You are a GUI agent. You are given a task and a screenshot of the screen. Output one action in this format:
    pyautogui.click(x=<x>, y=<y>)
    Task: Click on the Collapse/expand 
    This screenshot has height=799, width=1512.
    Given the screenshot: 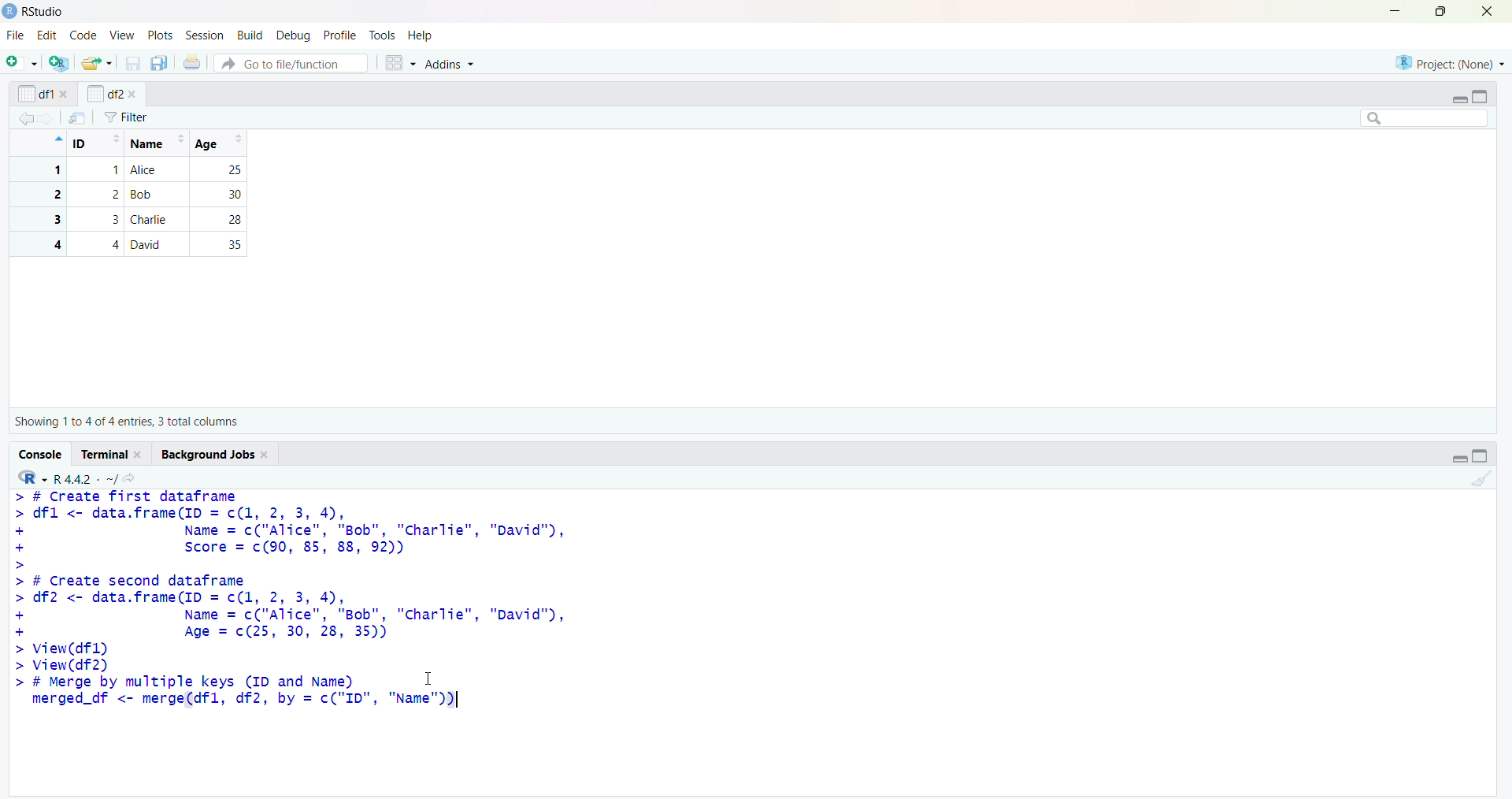 What is the action you would take?
    pyautogui.click(x=1458, y=100)
    